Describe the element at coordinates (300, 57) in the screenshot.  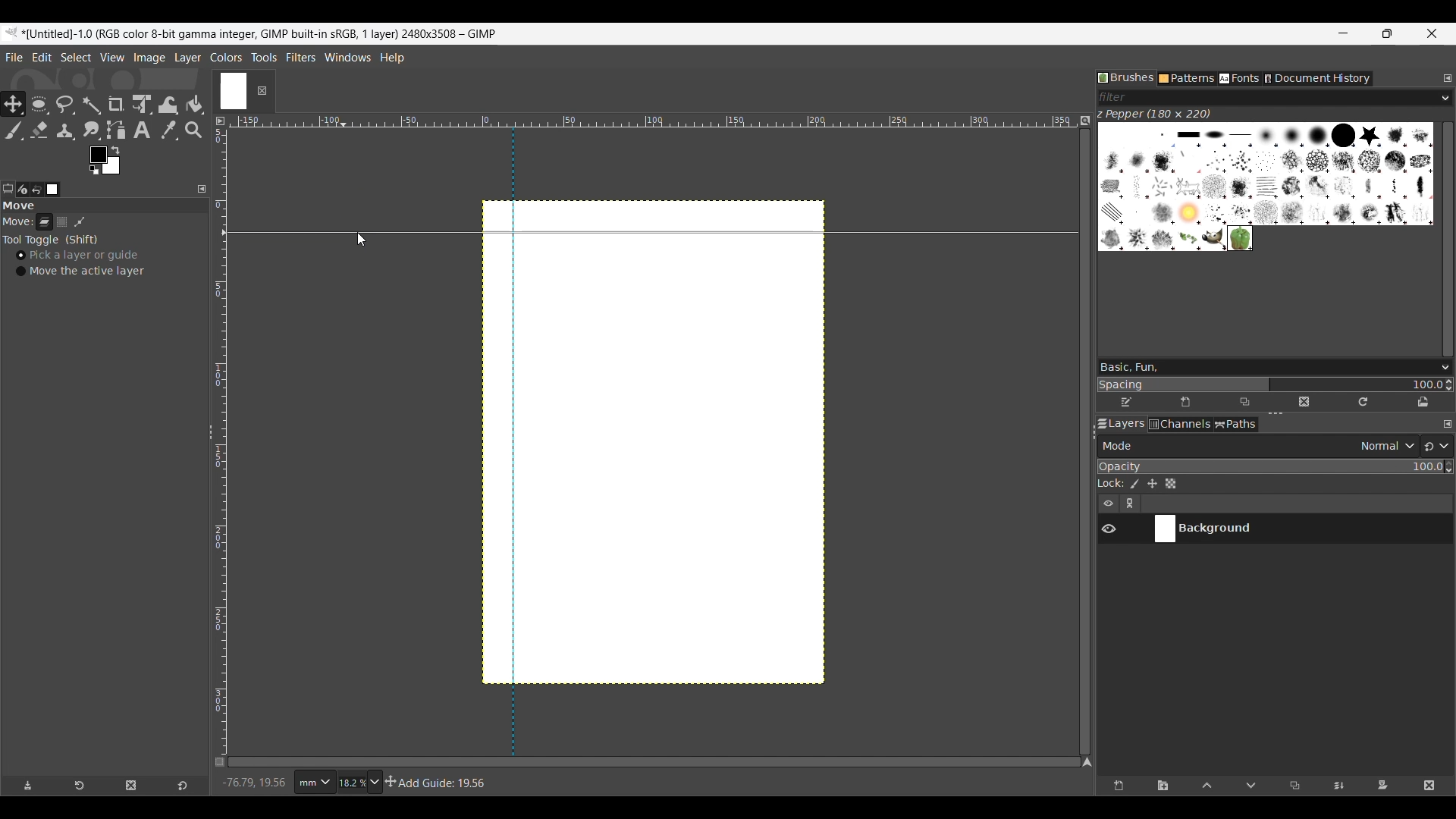
I see `Filters menu` at that location.